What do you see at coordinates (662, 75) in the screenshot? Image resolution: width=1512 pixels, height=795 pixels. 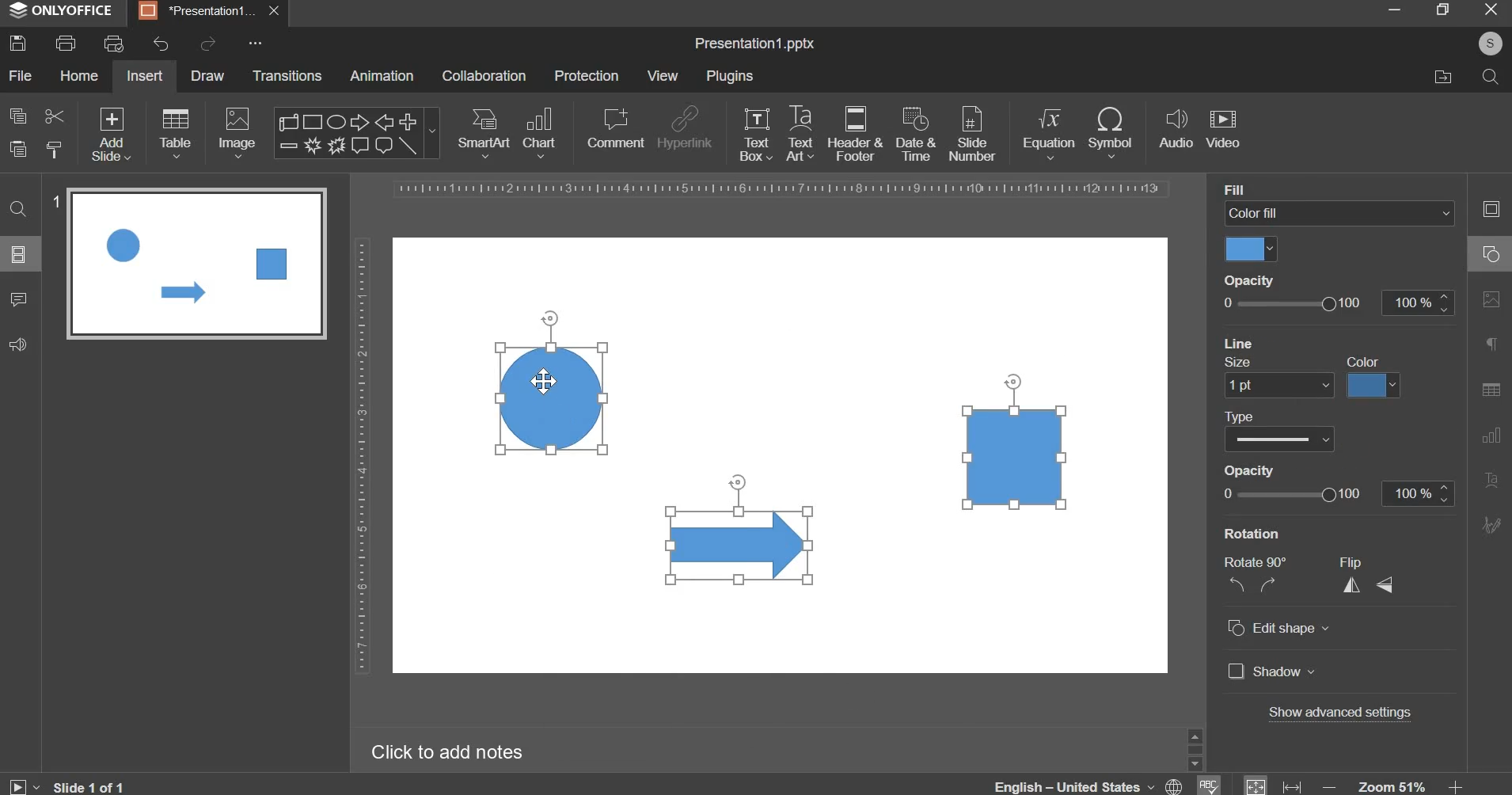 I see `view` at bounding box center [662, 75].